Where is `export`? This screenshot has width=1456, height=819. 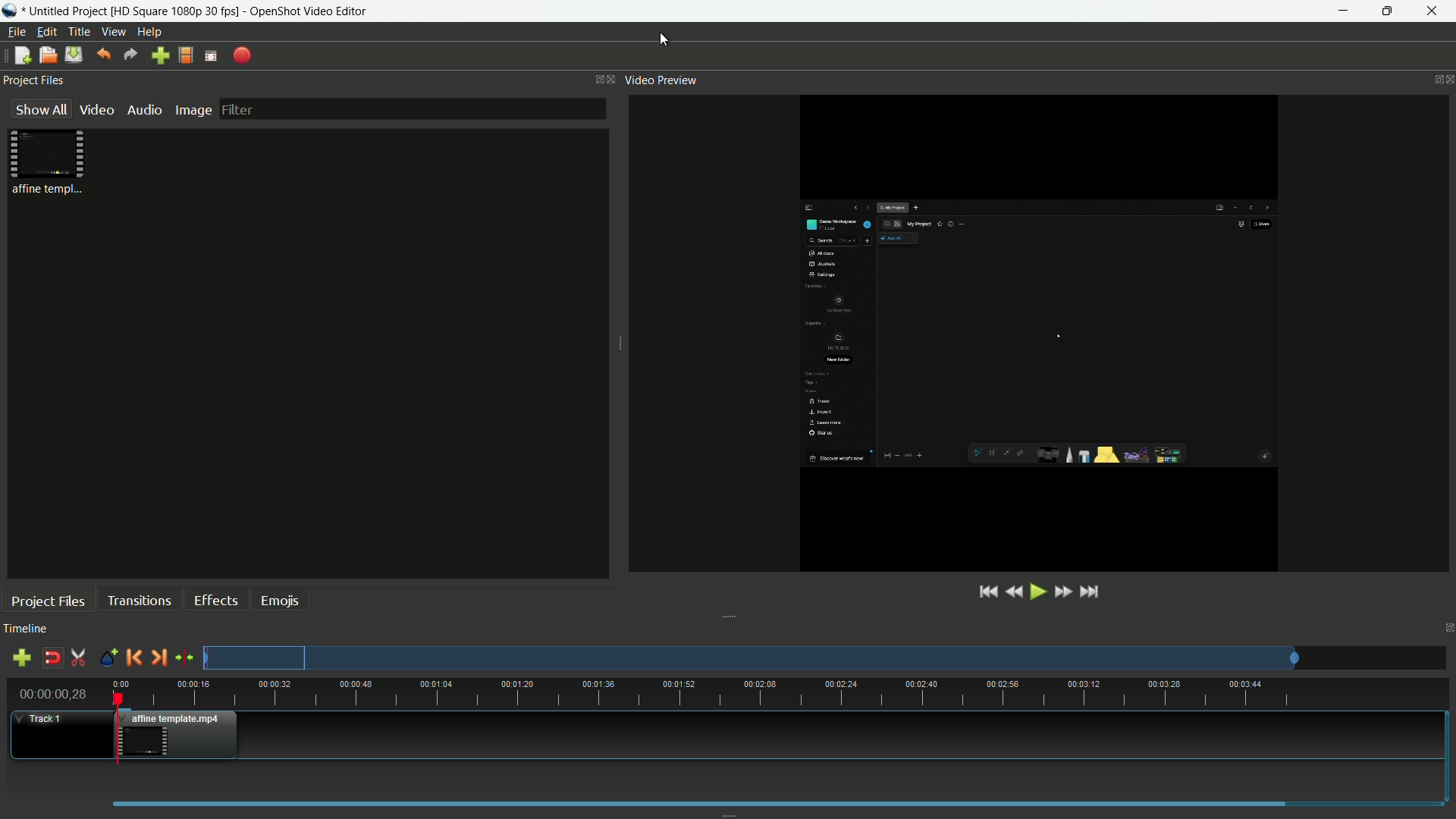
export is located at coordinates (240, 57).